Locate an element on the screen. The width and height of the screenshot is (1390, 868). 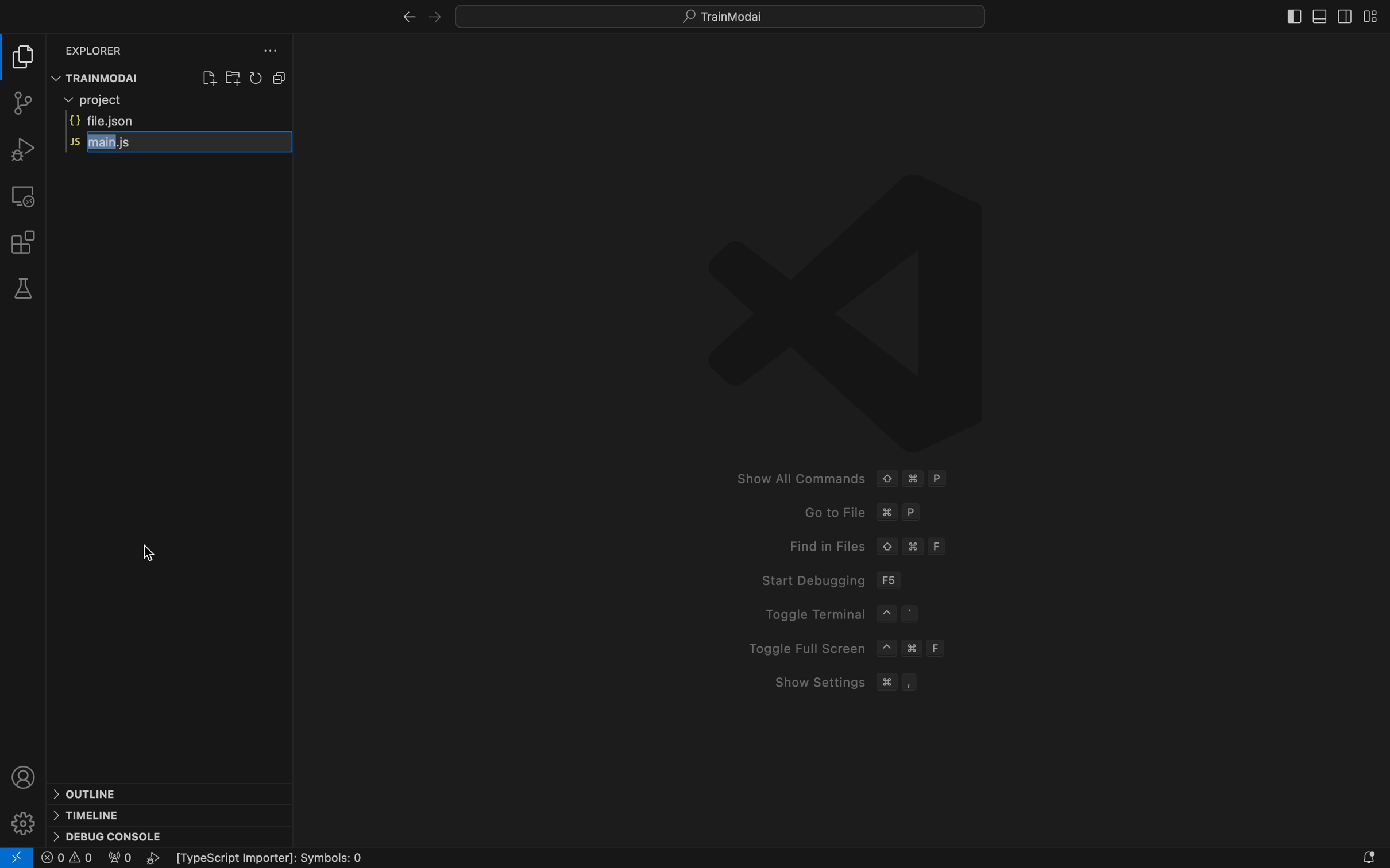
play is located at coordinates (154, 859).